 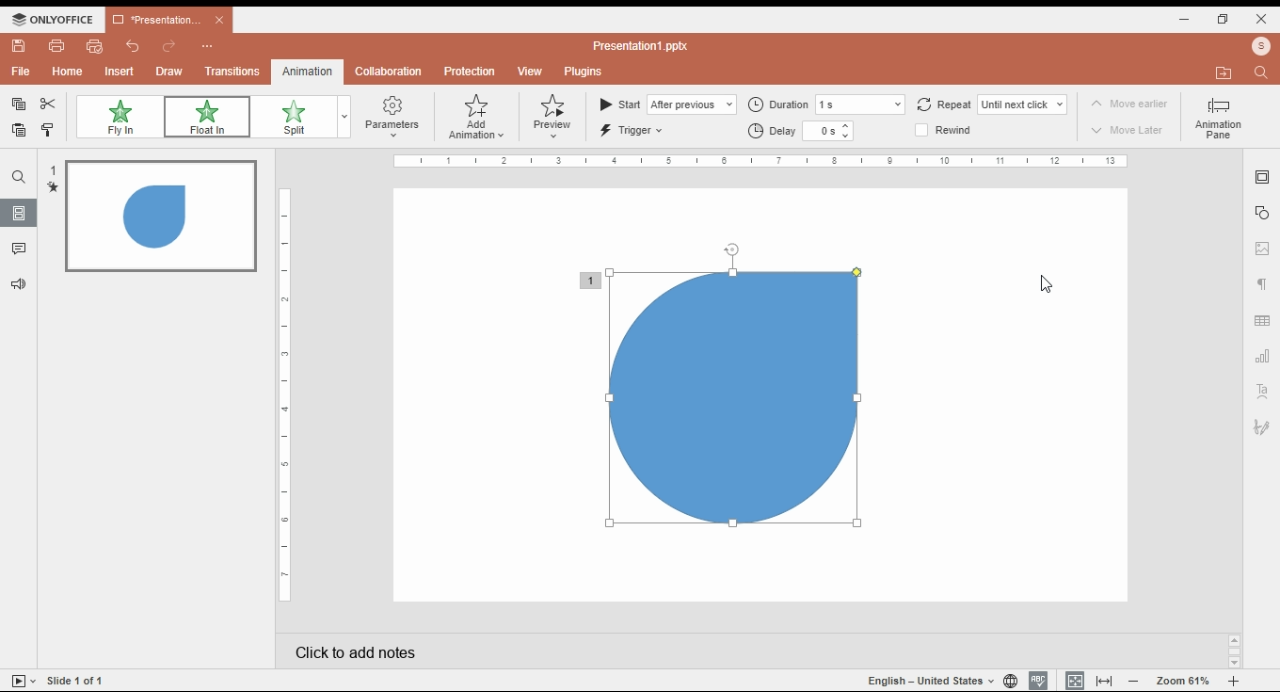 I want to click on copy style, so click(x=49, y=130).